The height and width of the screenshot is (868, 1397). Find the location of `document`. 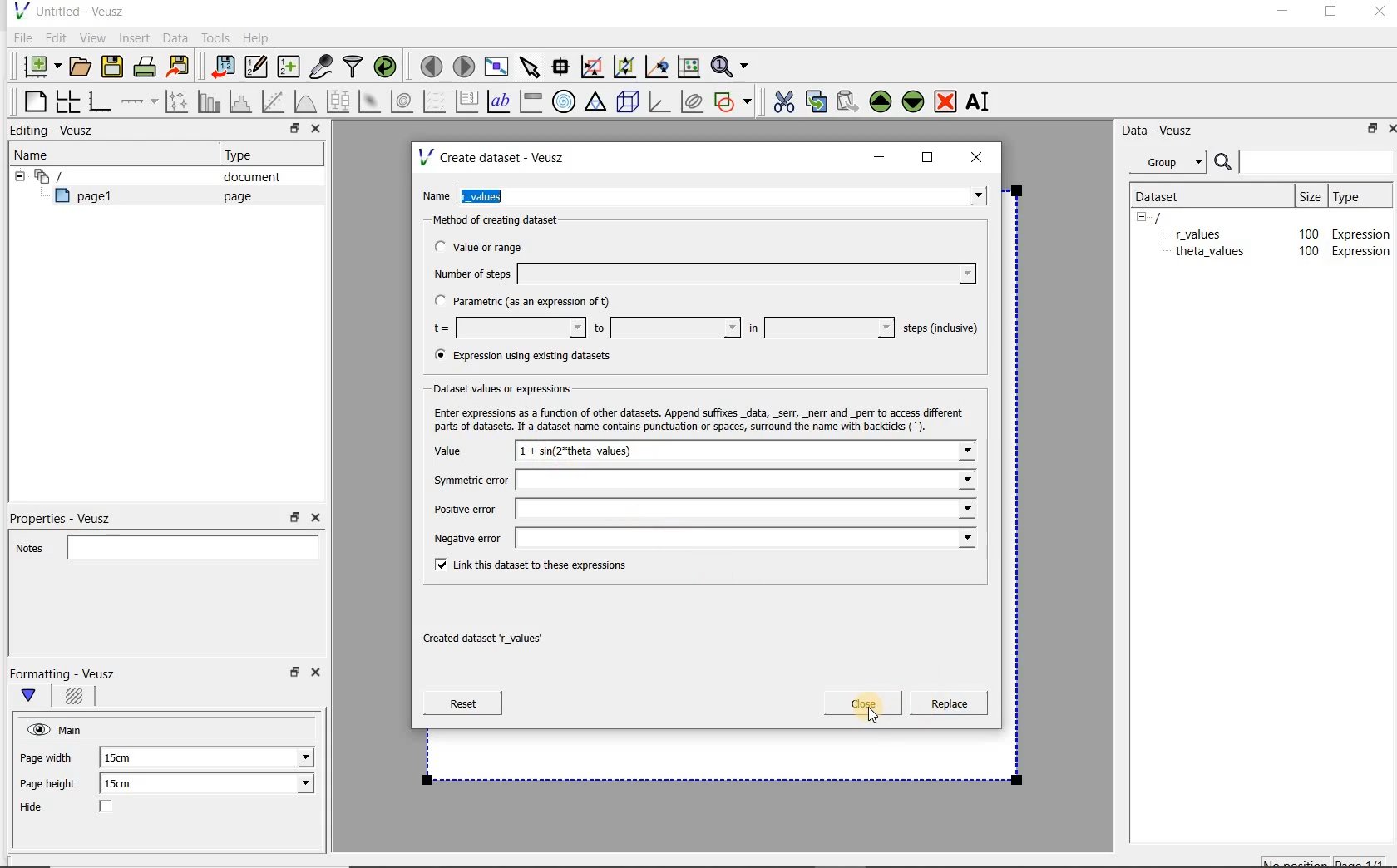

document is located at coordinates (245, 177).